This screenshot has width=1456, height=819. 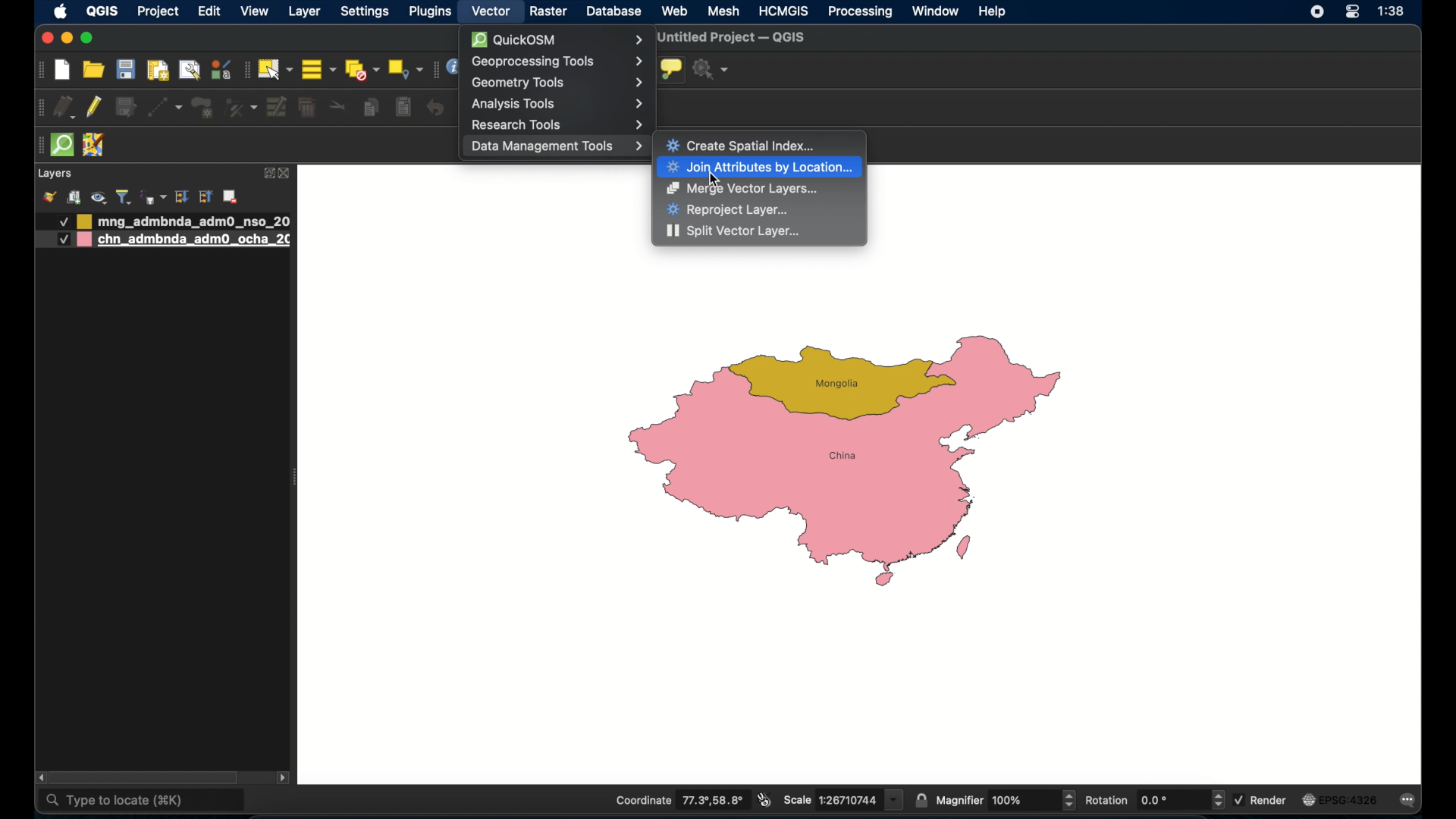 I want to click on expand, so click(x=182, y=196).